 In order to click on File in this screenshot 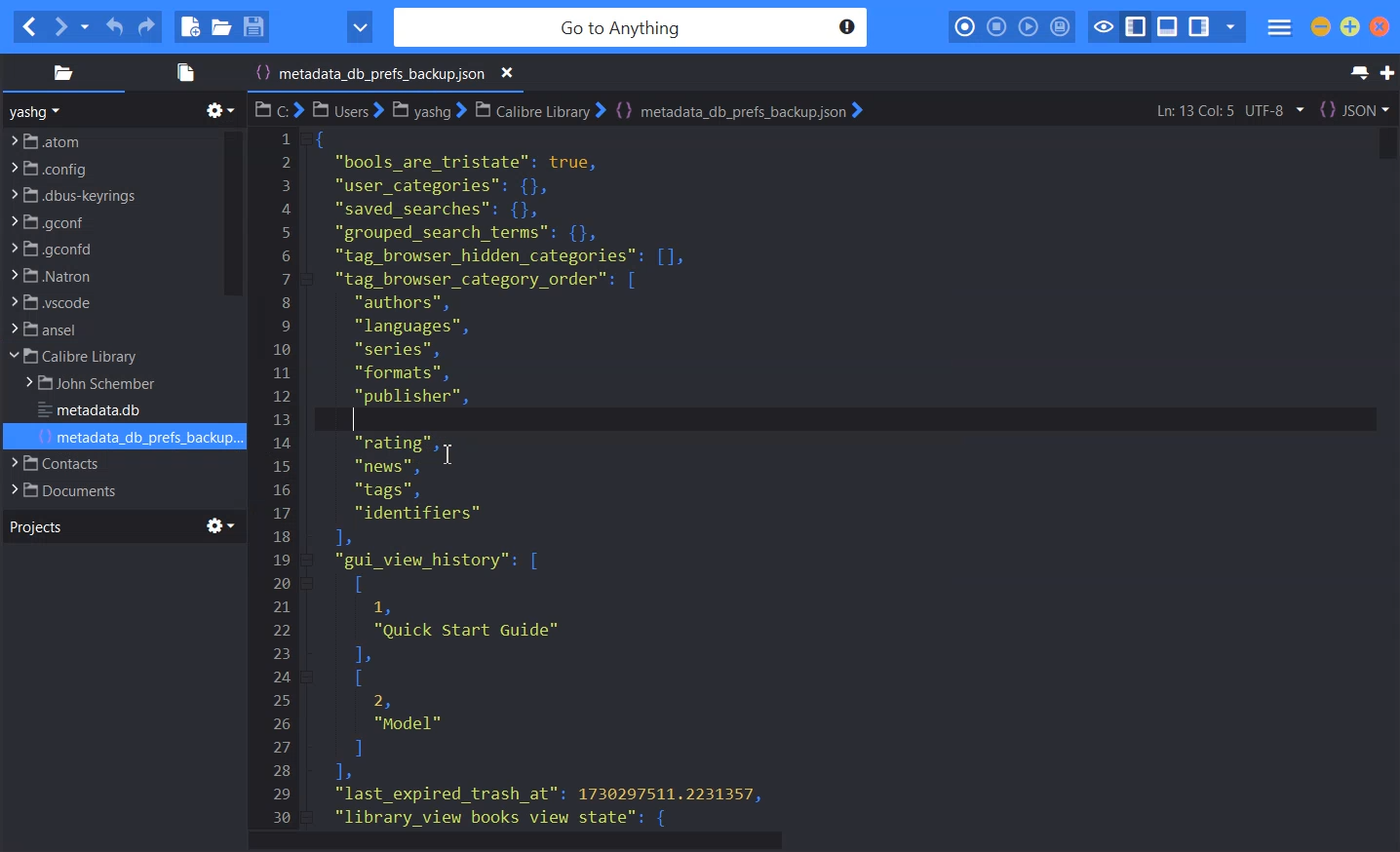, I will do `click(108, 329)`.